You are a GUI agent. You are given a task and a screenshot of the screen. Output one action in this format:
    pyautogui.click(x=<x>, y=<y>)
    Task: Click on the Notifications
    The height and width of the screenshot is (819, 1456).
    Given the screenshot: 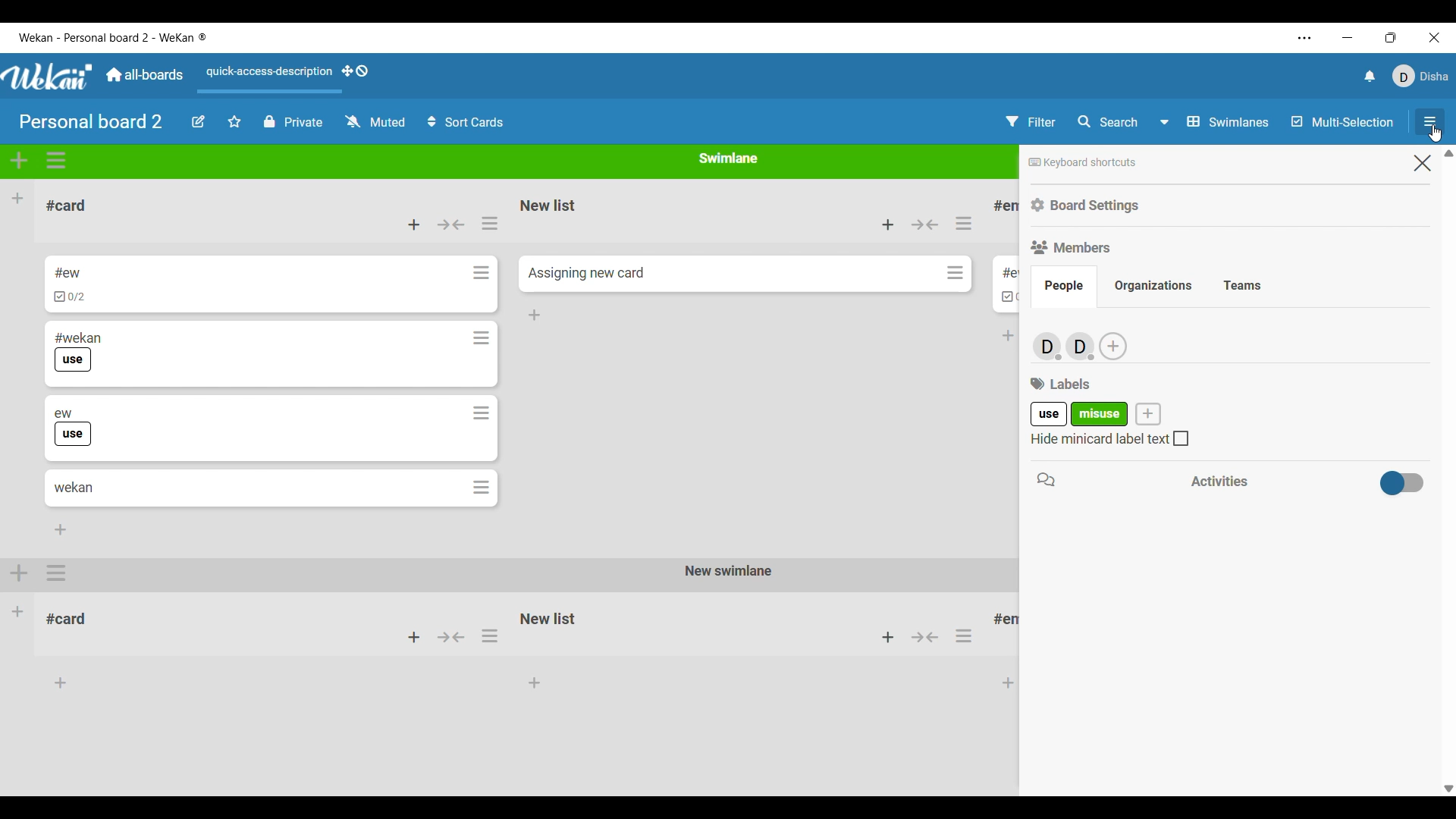 What is the action you would take?
    pyautogui.click(x=1370, y=76)
    